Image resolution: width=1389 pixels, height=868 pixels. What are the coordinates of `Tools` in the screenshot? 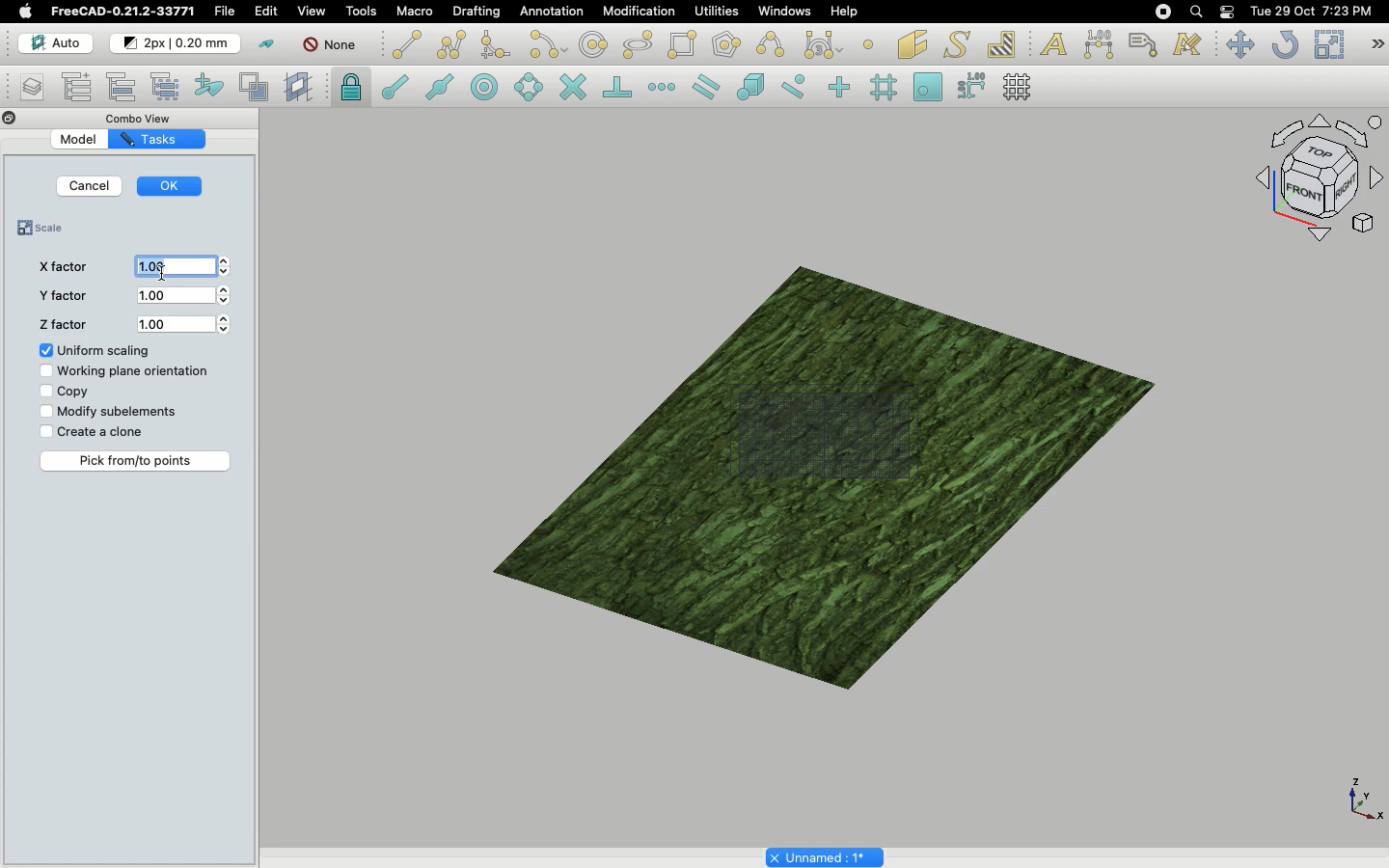 It's located at (364, 12).